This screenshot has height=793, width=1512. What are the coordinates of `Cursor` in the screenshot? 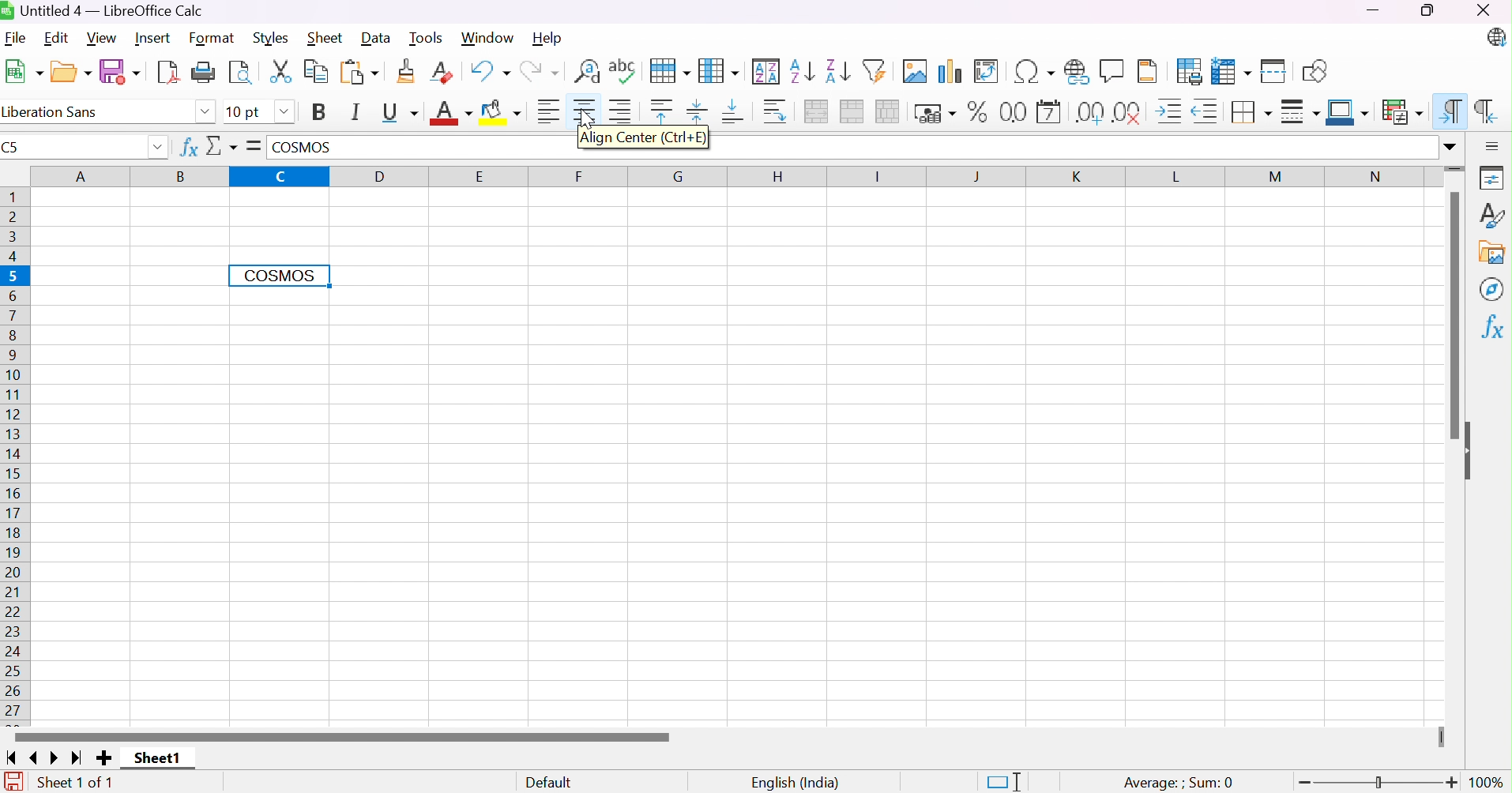 It's located at (584, 117).